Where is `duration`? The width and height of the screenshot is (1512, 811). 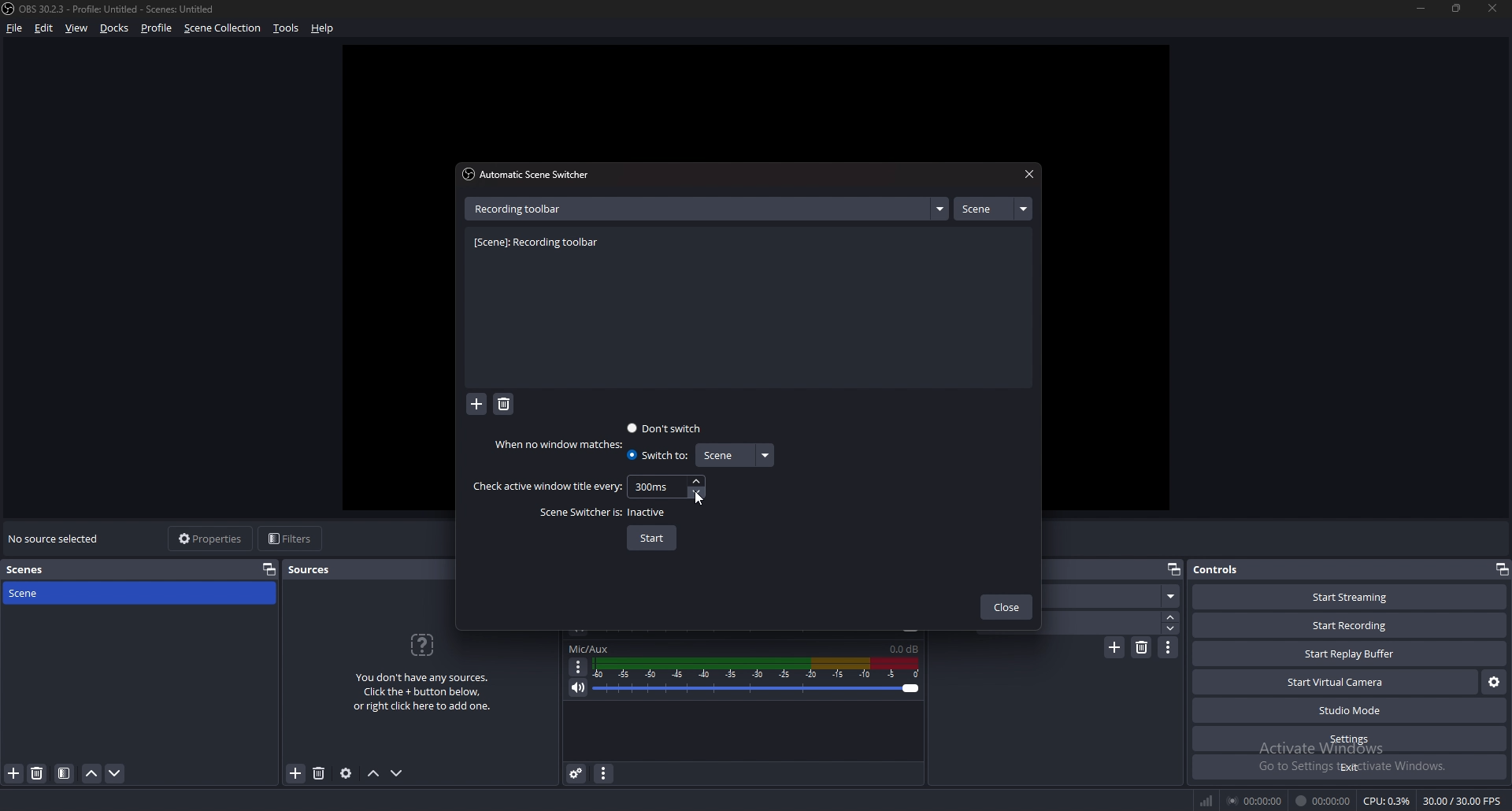 duration is located at coordinates (1110, 622).